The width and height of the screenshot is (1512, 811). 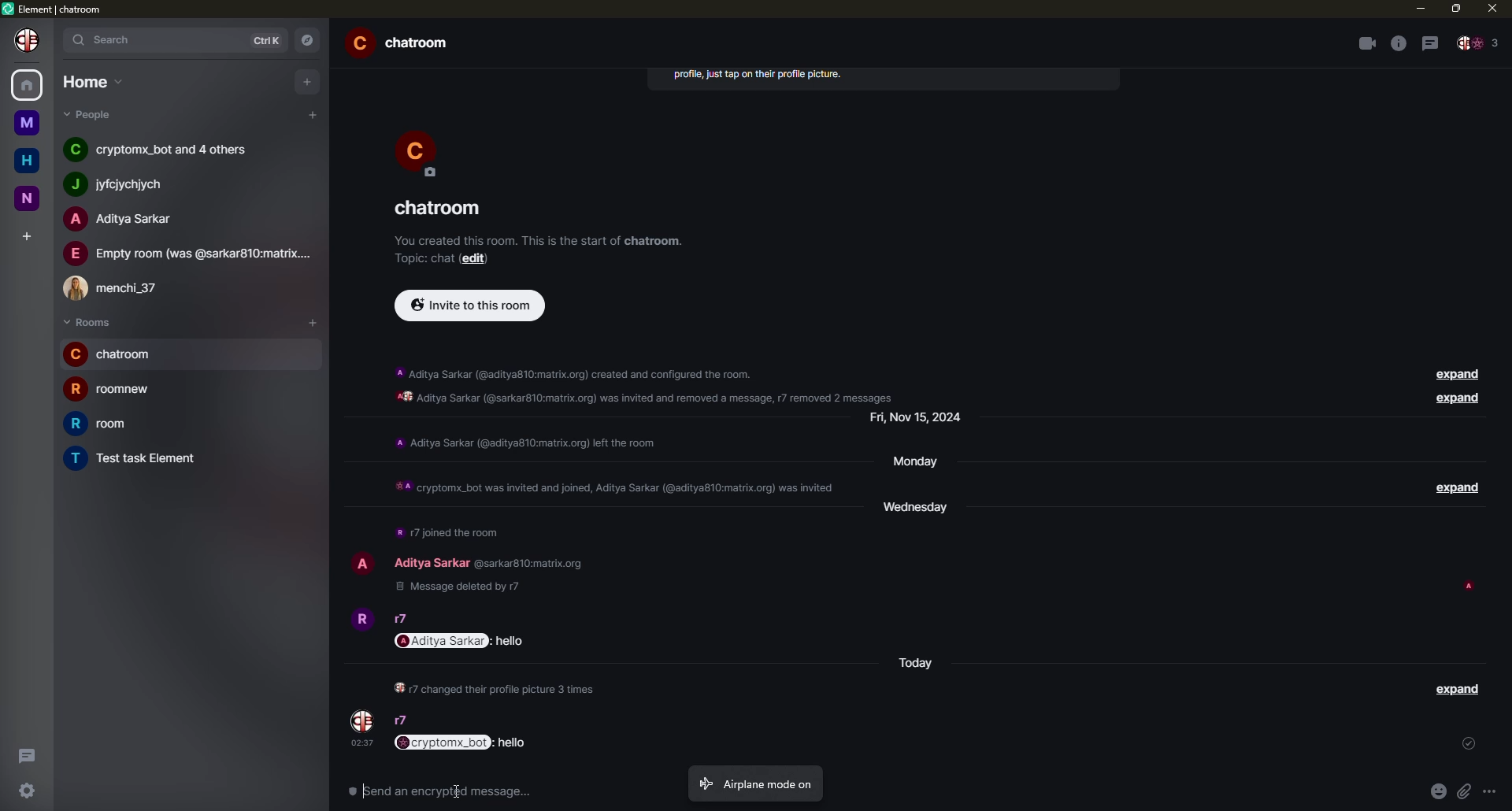 What do you see at coordinates (360, 562) in the screenshot?
I see `profile` at bounding box center [360, 562].